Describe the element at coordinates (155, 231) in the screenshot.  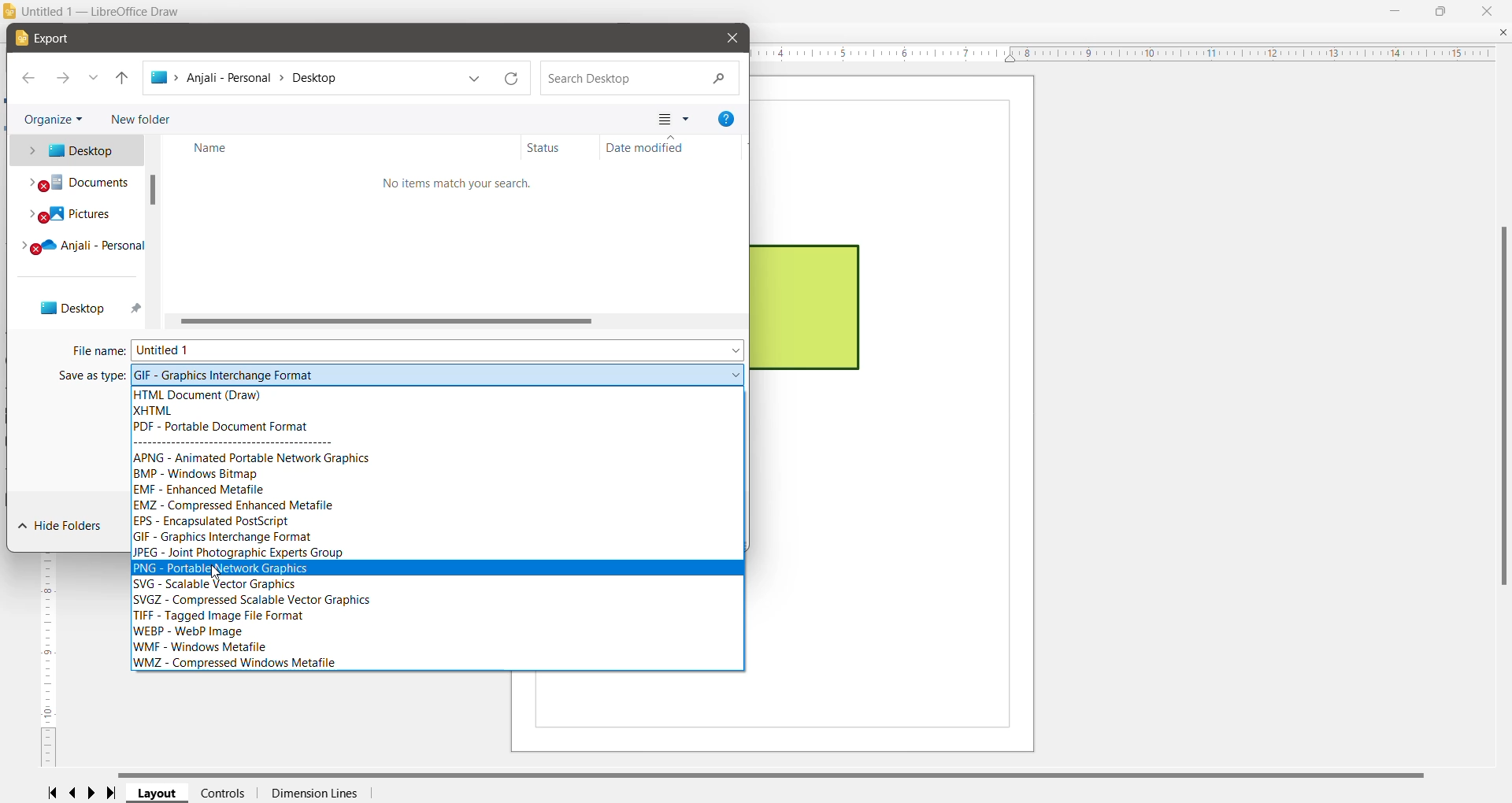
I see `Vertical Scroll Bar` at that location.